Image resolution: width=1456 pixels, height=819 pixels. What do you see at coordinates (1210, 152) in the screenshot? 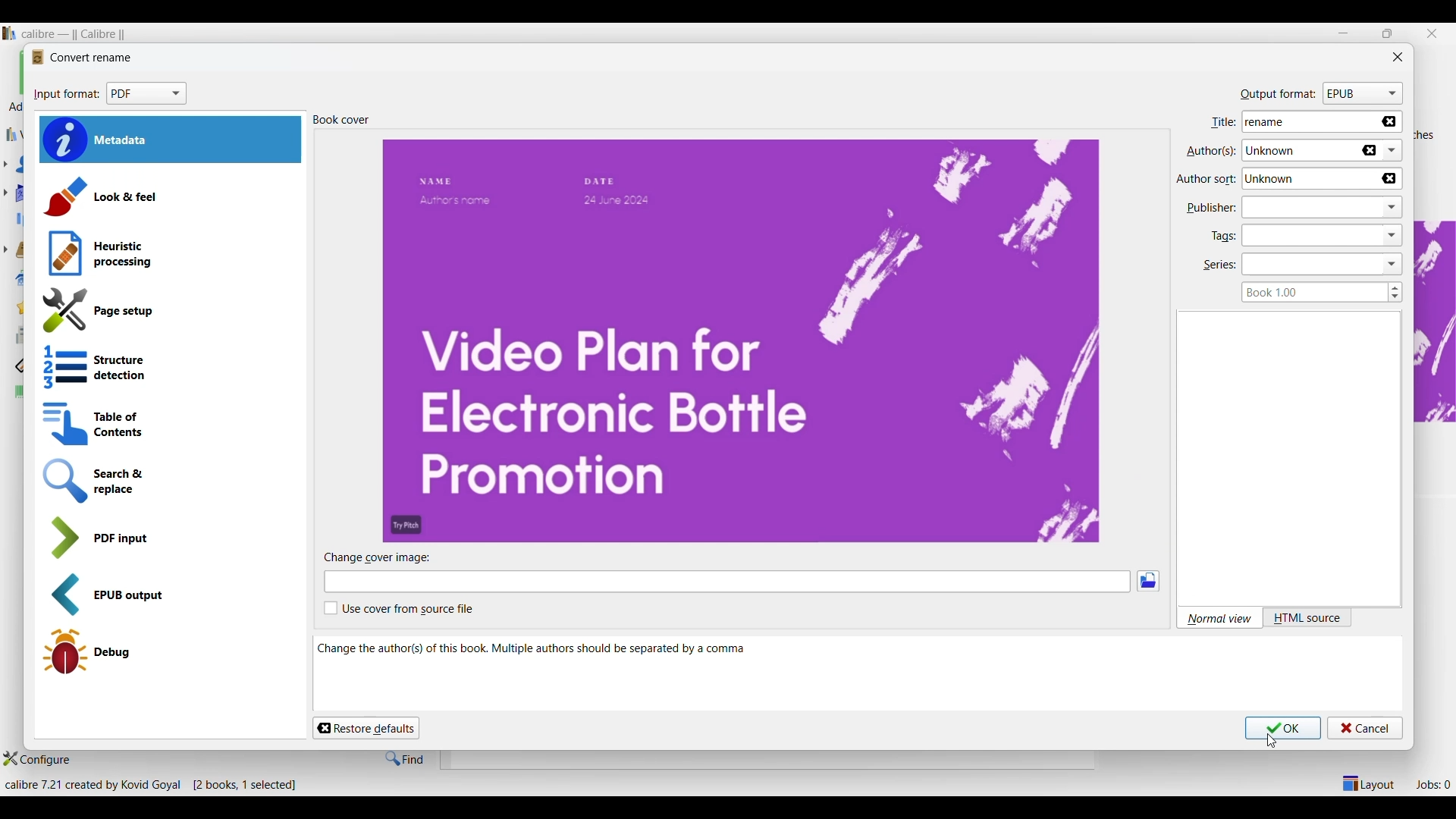
I see `authors` at bounding box center [1210, 152].